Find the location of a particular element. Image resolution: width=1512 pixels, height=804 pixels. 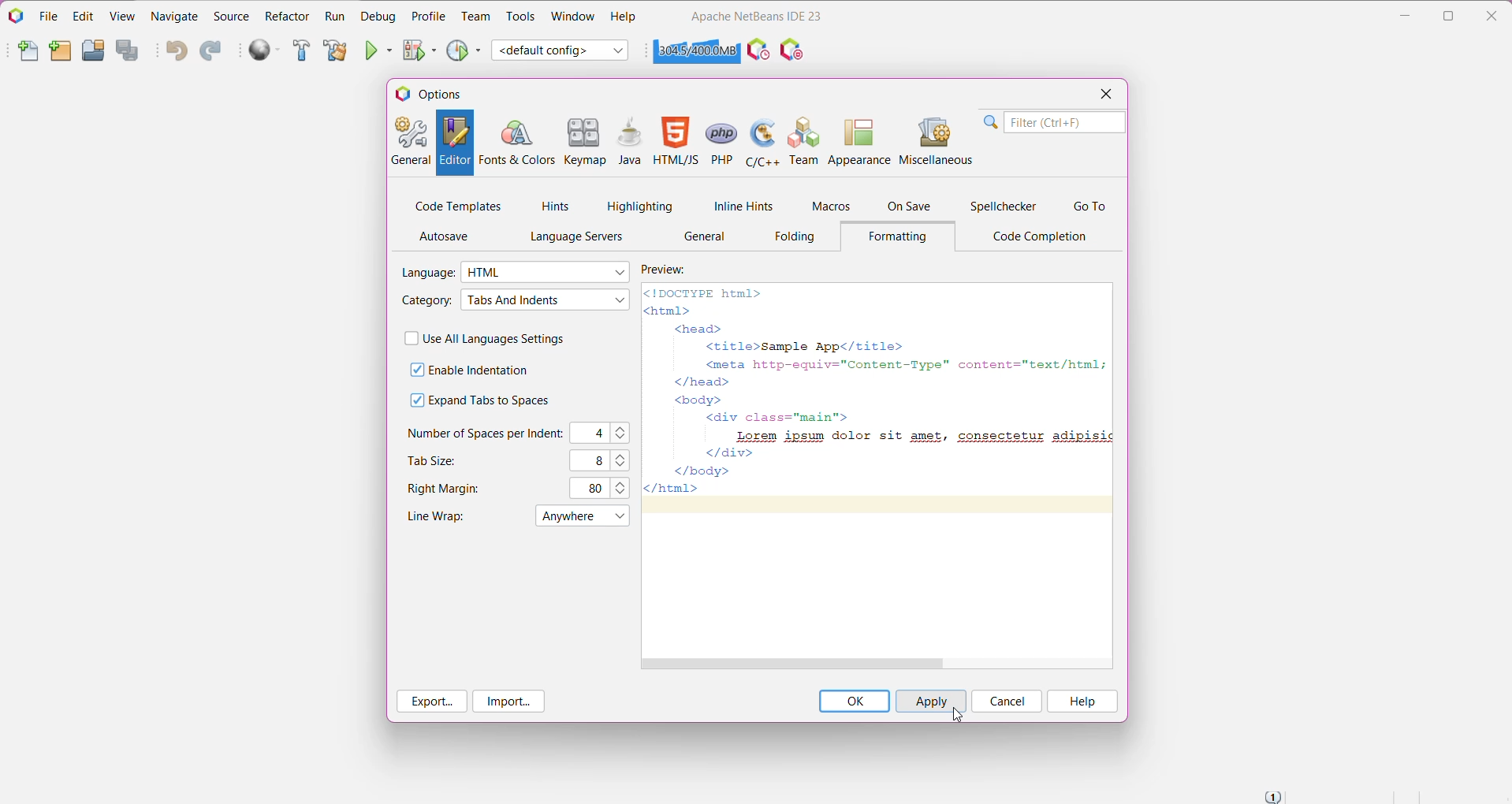

New Project is located at coordinates (60, 52).